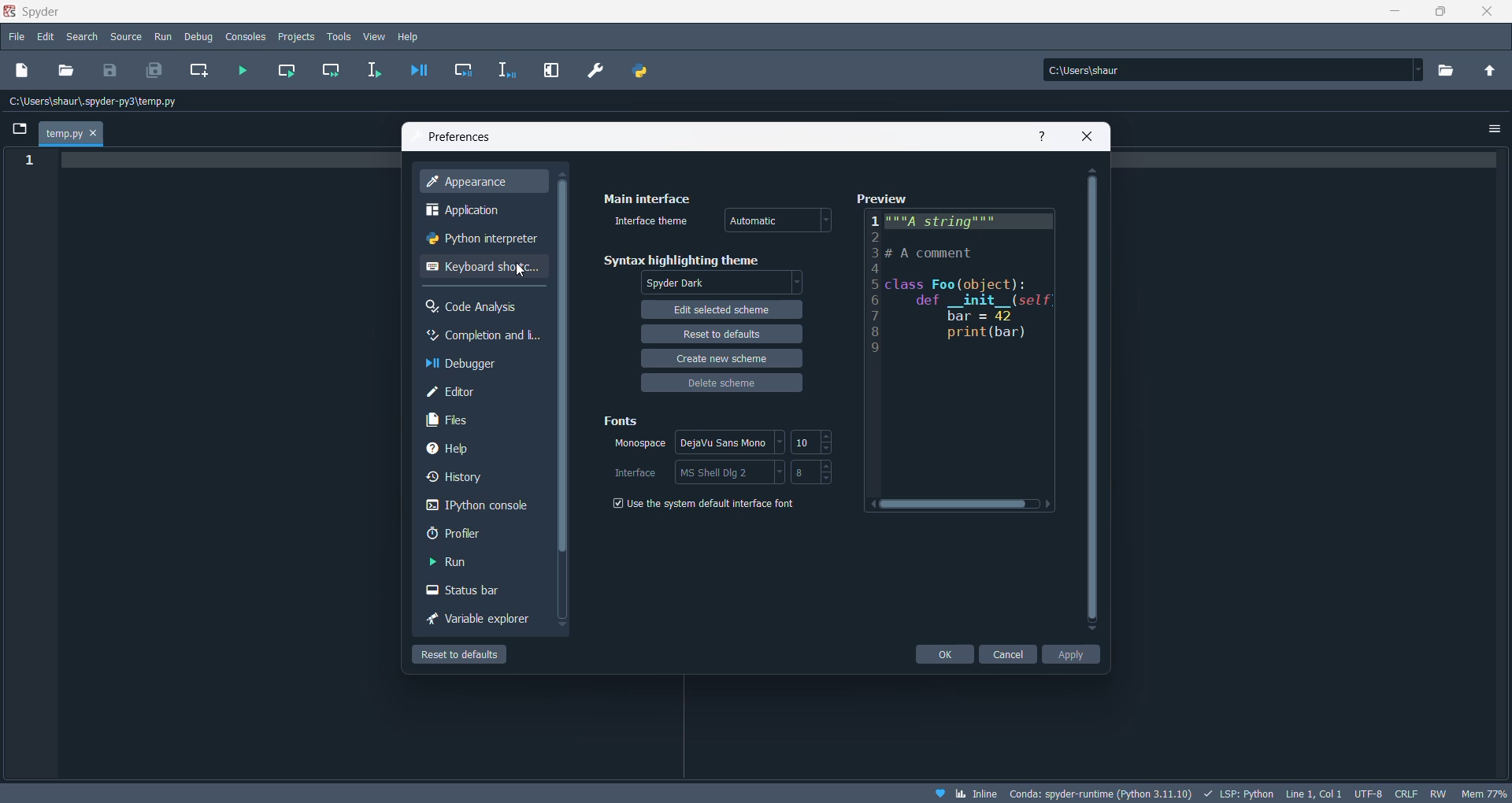 Image resolution: width=1512 pixels, height=803 pixels. What do you see at coordinates (1440, 792) in the screenshot?
I see `file permission` at bounding box center [1440, 792].